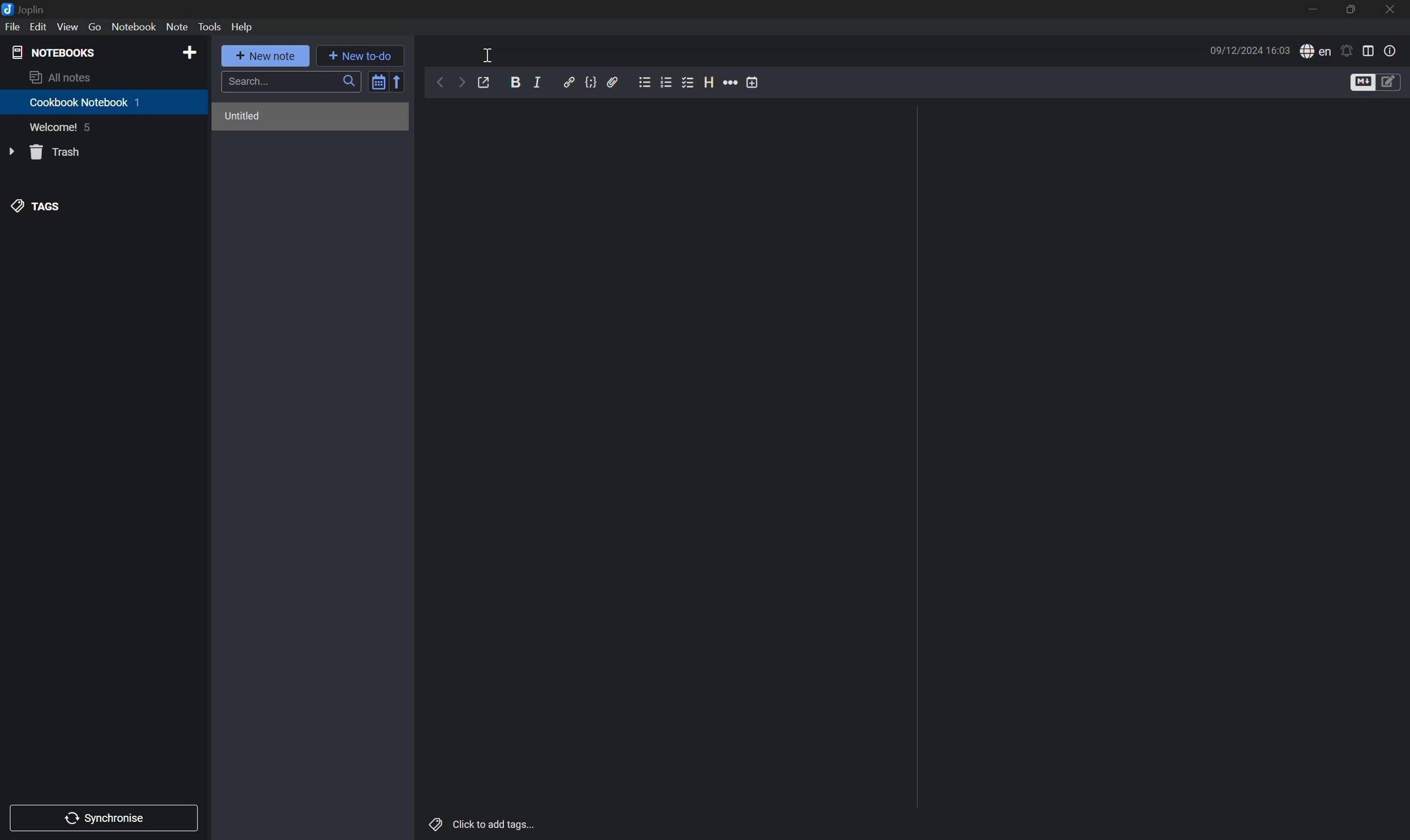 The width and height of the screenshot is (1410, 840). Describe the element at coordinates (488, 53) in the screenshot. I see `Cursor` at that location.